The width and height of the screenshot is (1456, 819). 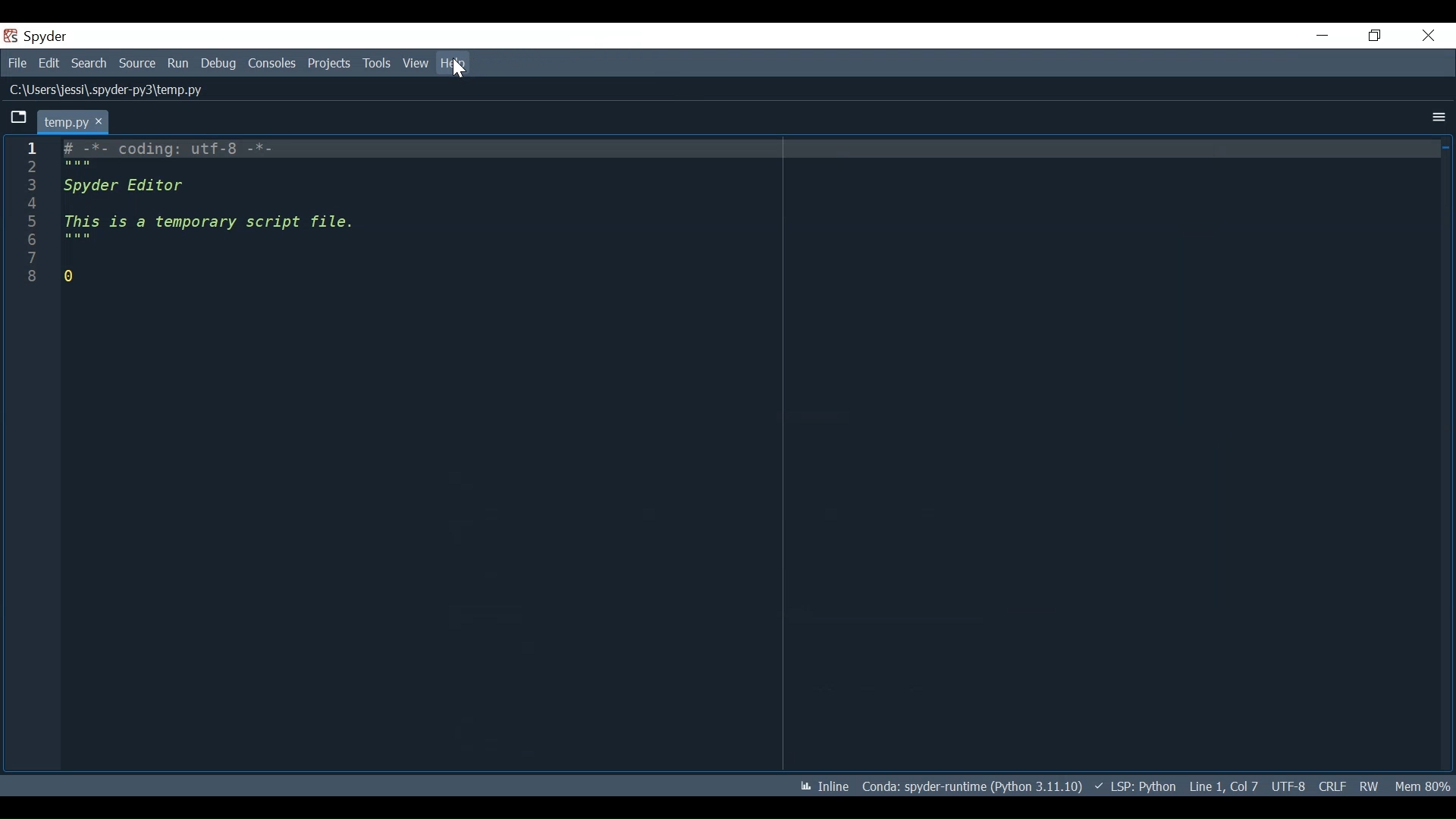 I want to click on Source, so click(x=137, y=64).